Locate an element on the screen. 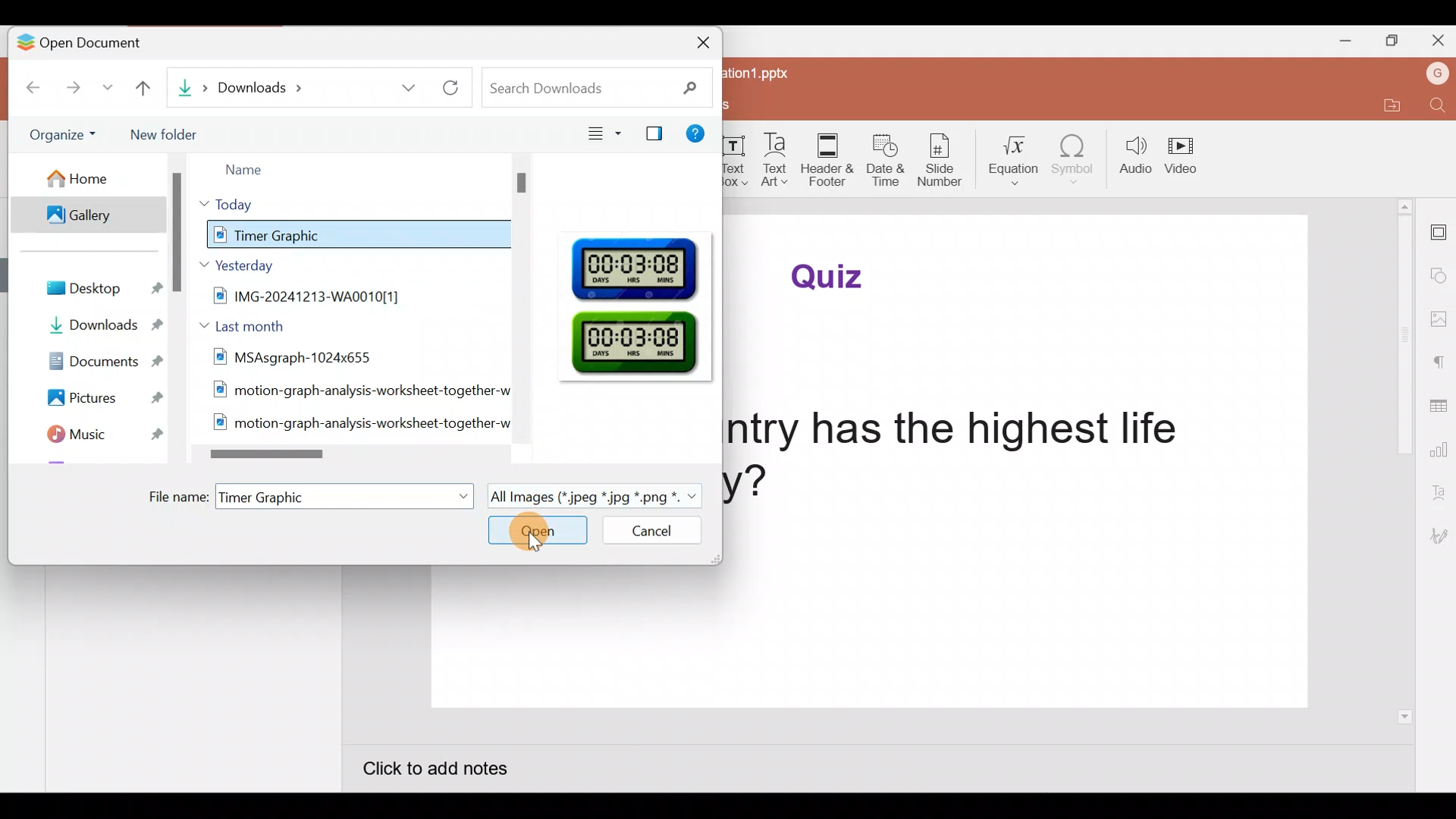 Image resolution: width=1456 pixels, height=819 pixels. Open file location is located at coordinates (1389, 108).